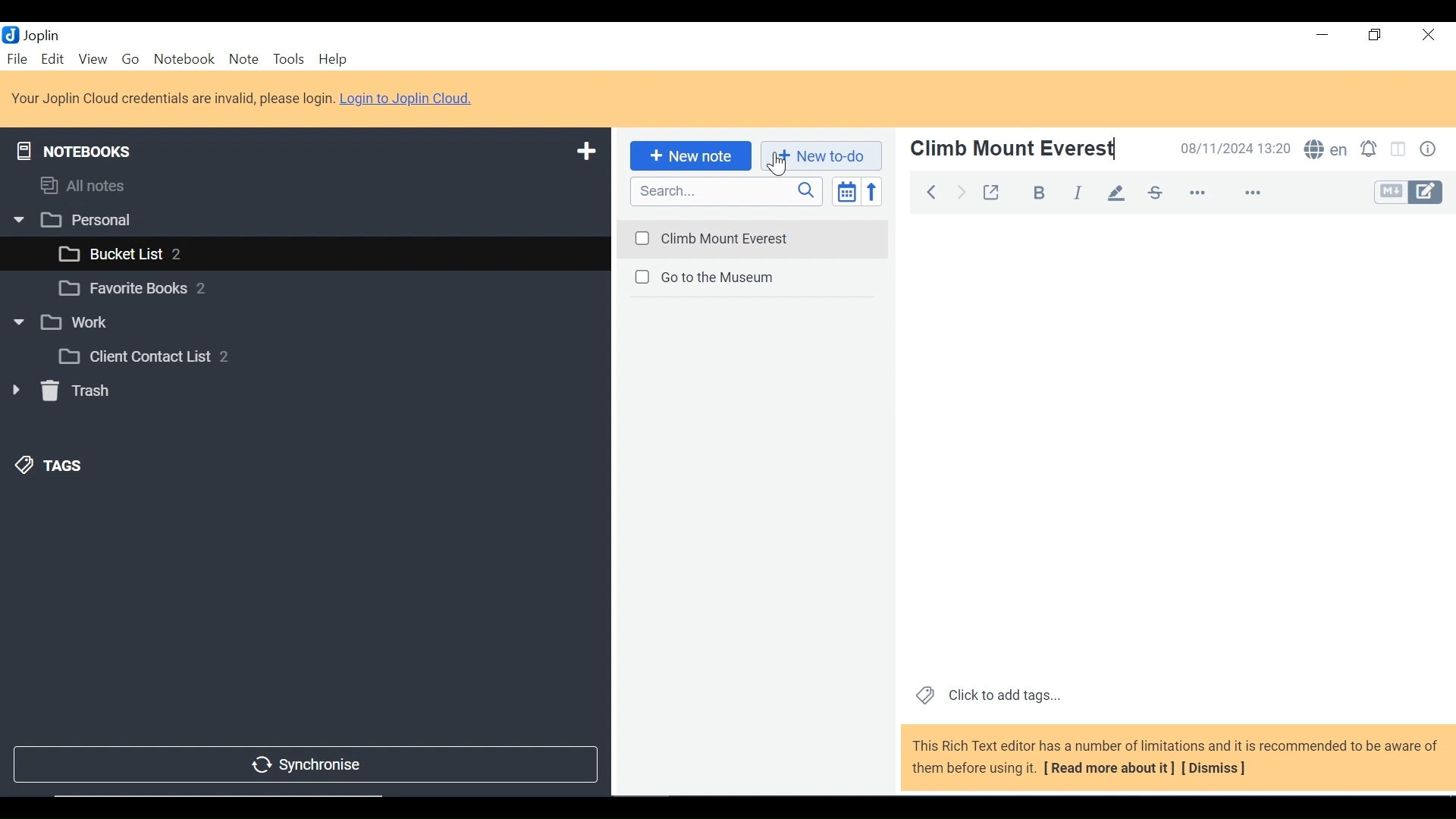 This screenshot has height=819, width=1456. Describe the element at coordinates (1237, 149) in the screenshot. I see `Date and Time` at that location.